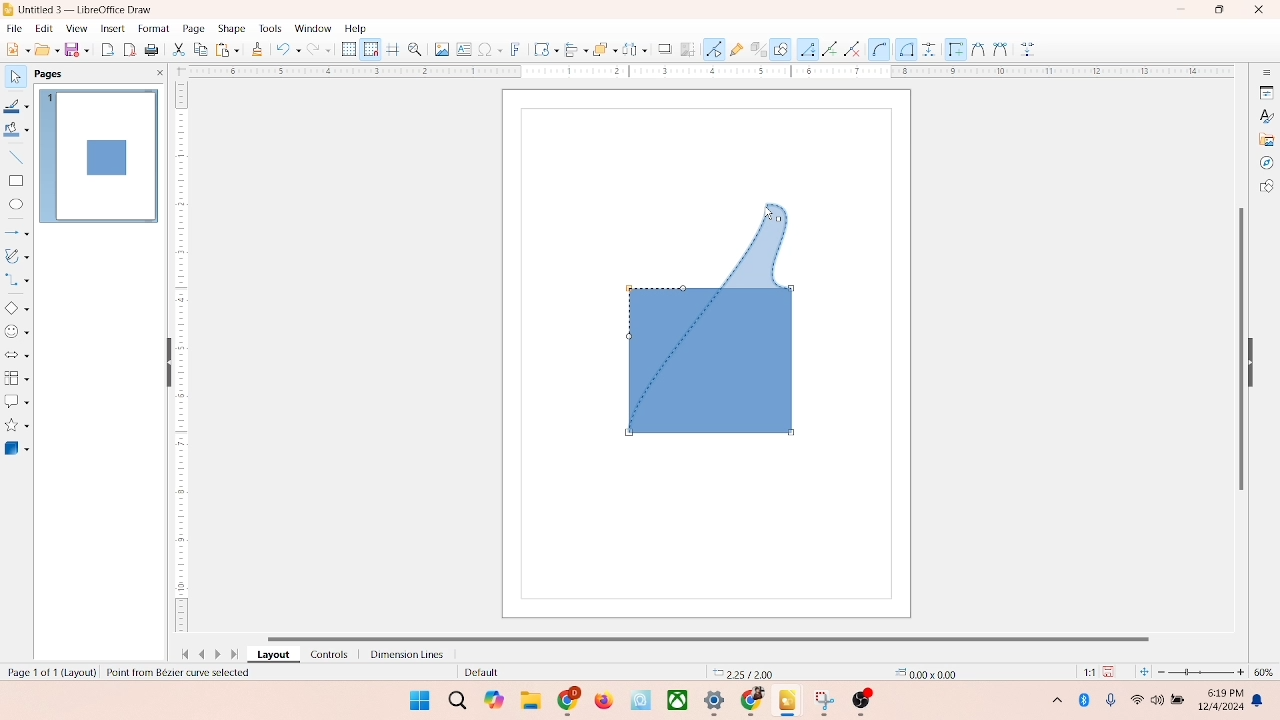 This screenshot has width=1280, height=720. Describe the element at coordinates (156, 73) in the screenshot. I see `close` at that location.